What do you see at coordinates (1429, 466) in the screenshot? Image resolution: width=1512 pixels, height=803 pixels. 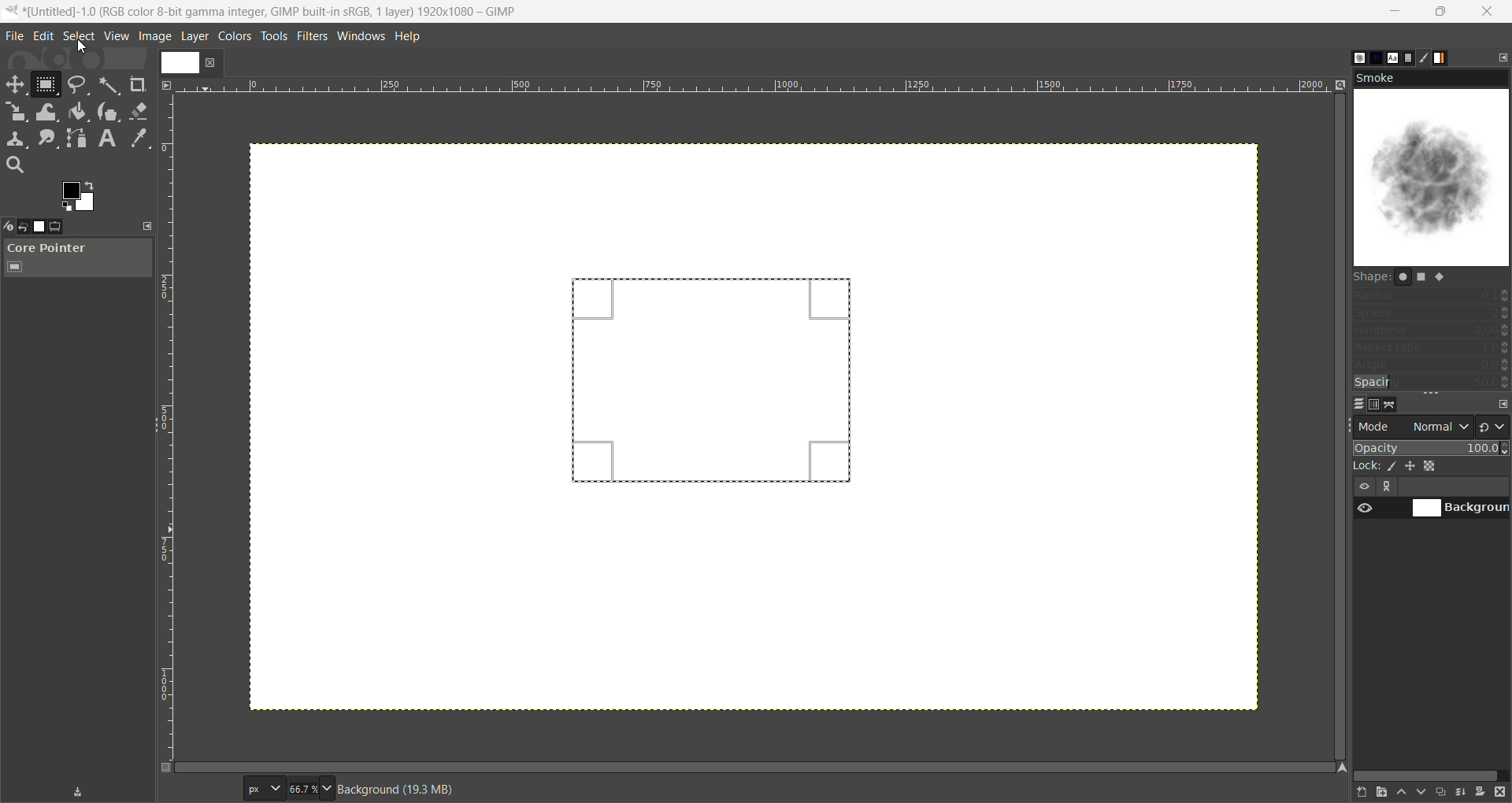 I see `lock alpha channel` at bounding box center [1429, 466].